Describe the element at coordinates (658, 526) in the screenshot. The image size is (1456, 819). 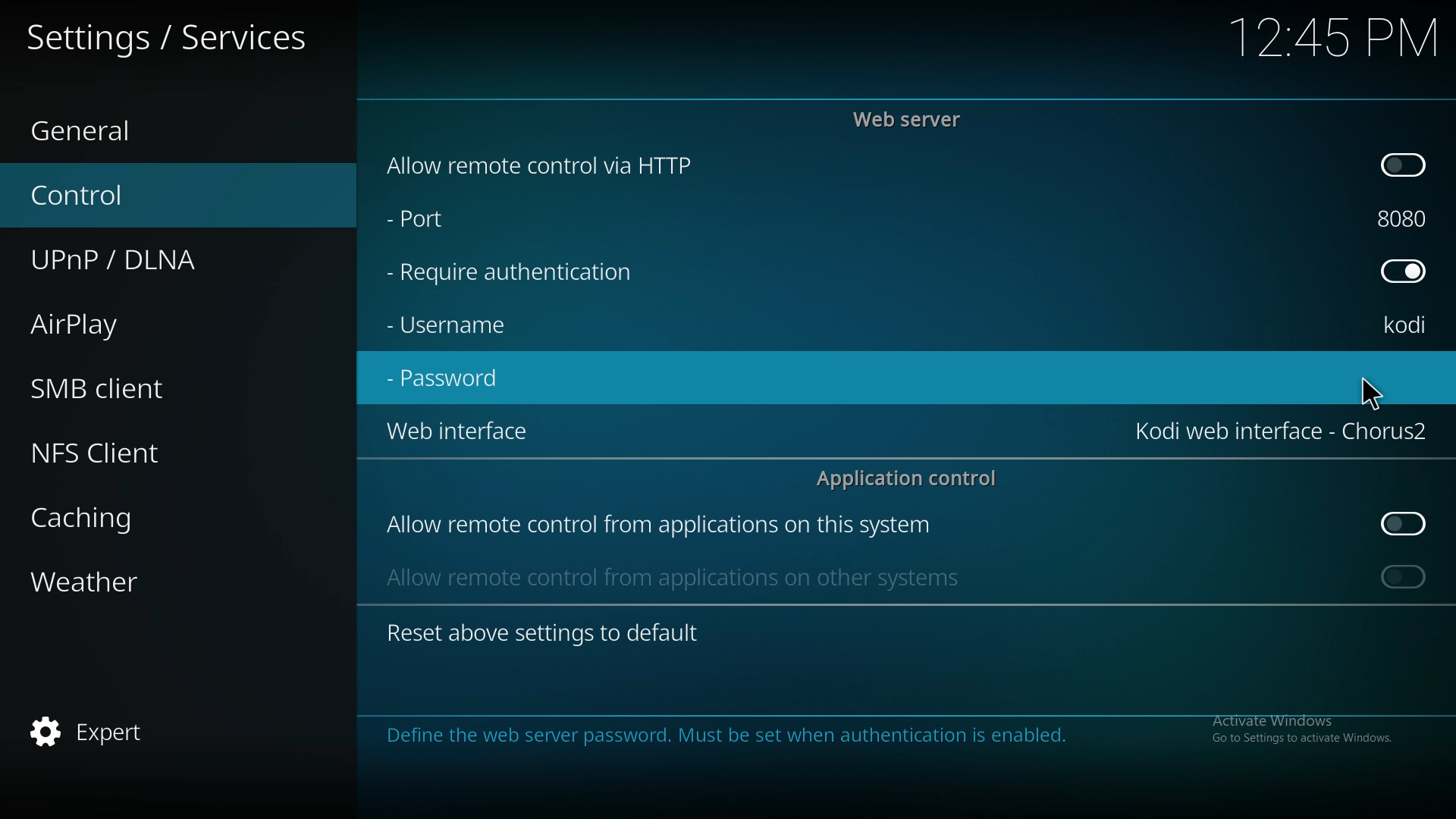
I see `allow remote control` at that location.